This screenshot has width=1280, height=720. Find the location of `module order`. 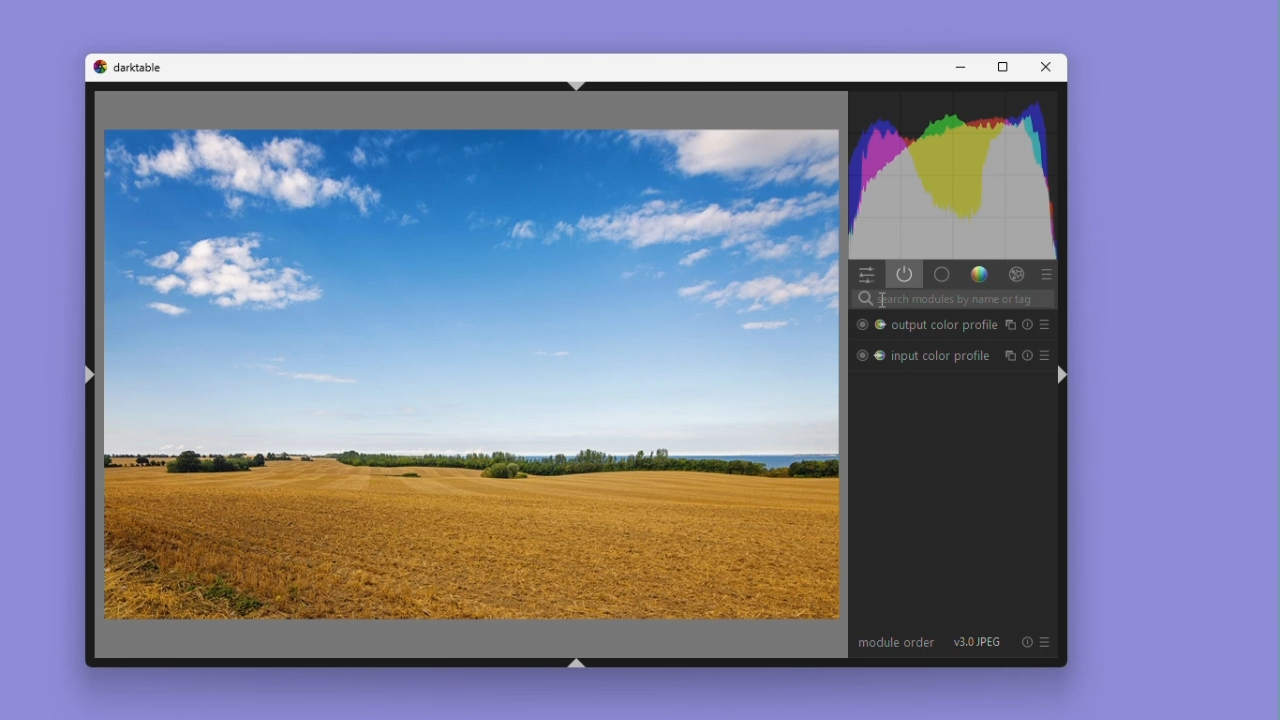

module order is located at coordinates (893, 645).